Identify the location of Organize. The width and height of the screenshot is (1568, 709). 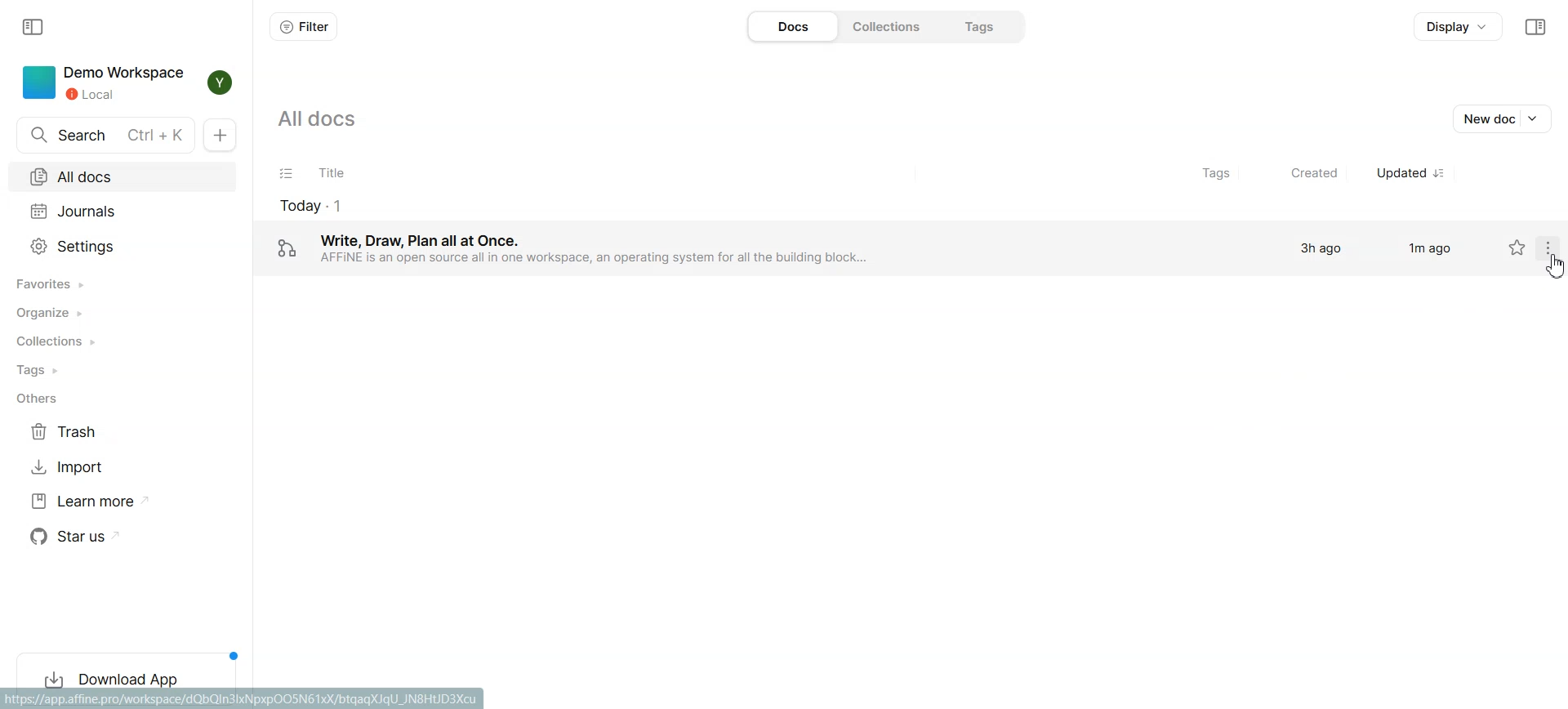
(121, 315).